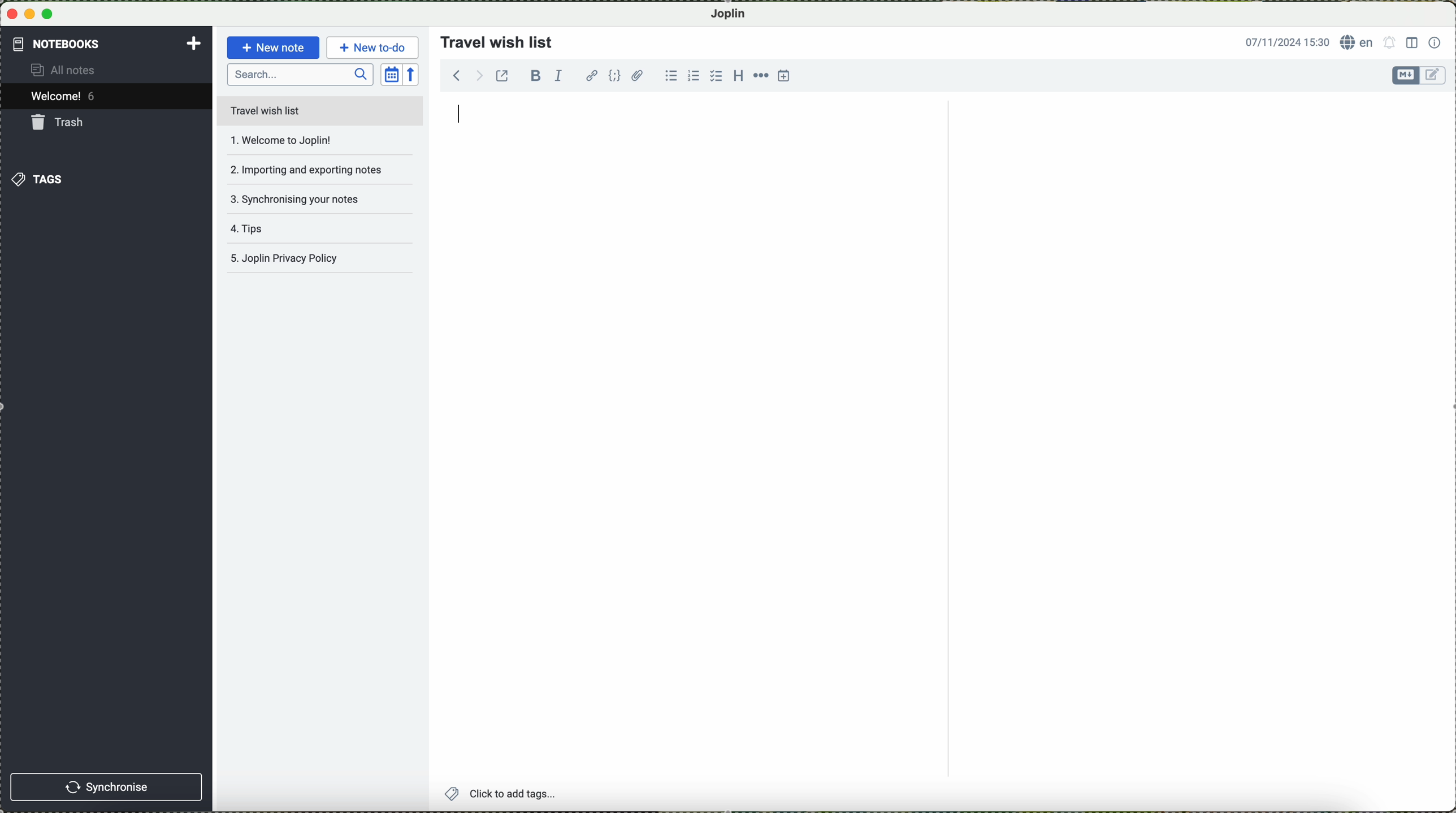 Image resolution: width=1456 pixels, height=813 pixels. Describe the element at coordinates (670, 76) in the screenshot. I see `bulleted list` at that location.